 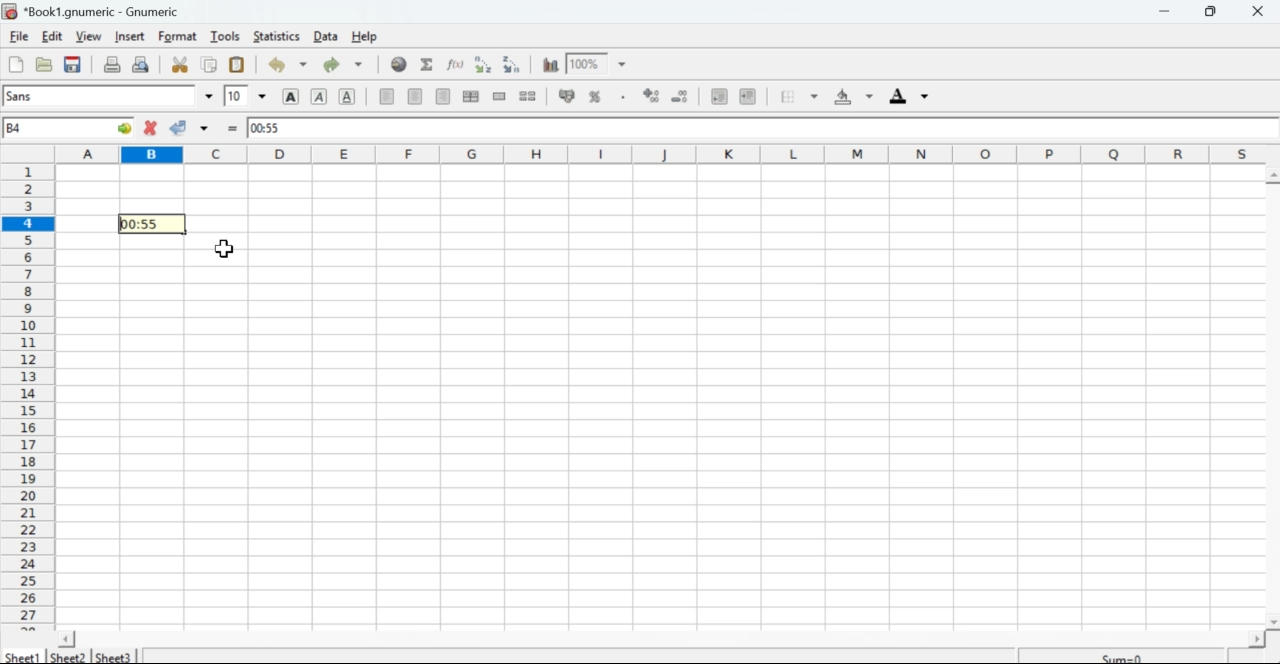 I want to click on Split cells , so click(x=529, y=96).